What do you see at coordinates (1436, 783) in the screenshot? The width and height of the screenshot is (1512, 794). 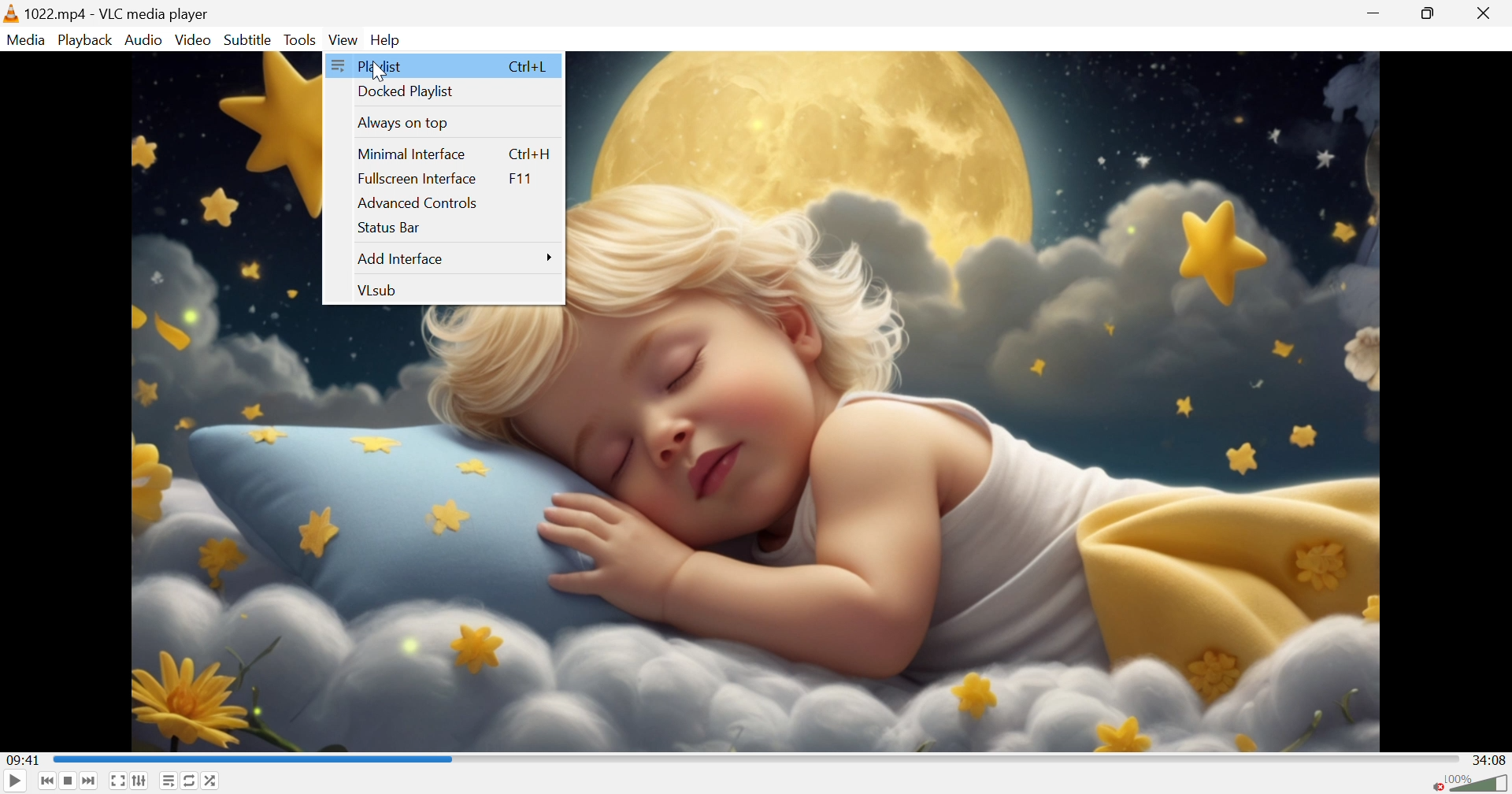 I see `Unmute` at bounding box center [1436, 783].